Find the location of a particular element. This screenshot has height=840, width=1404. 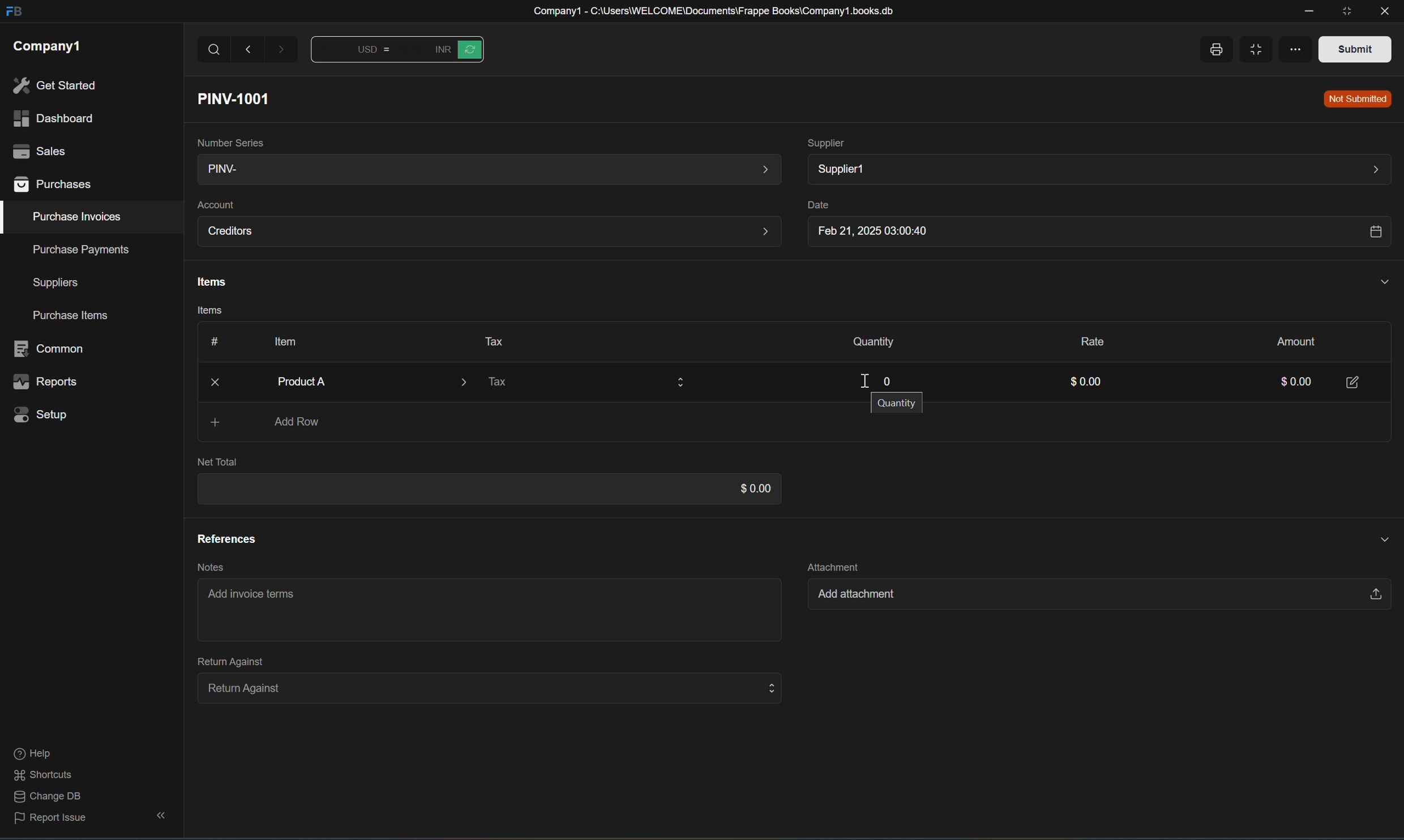

Account is located at coordinates (215, 205).